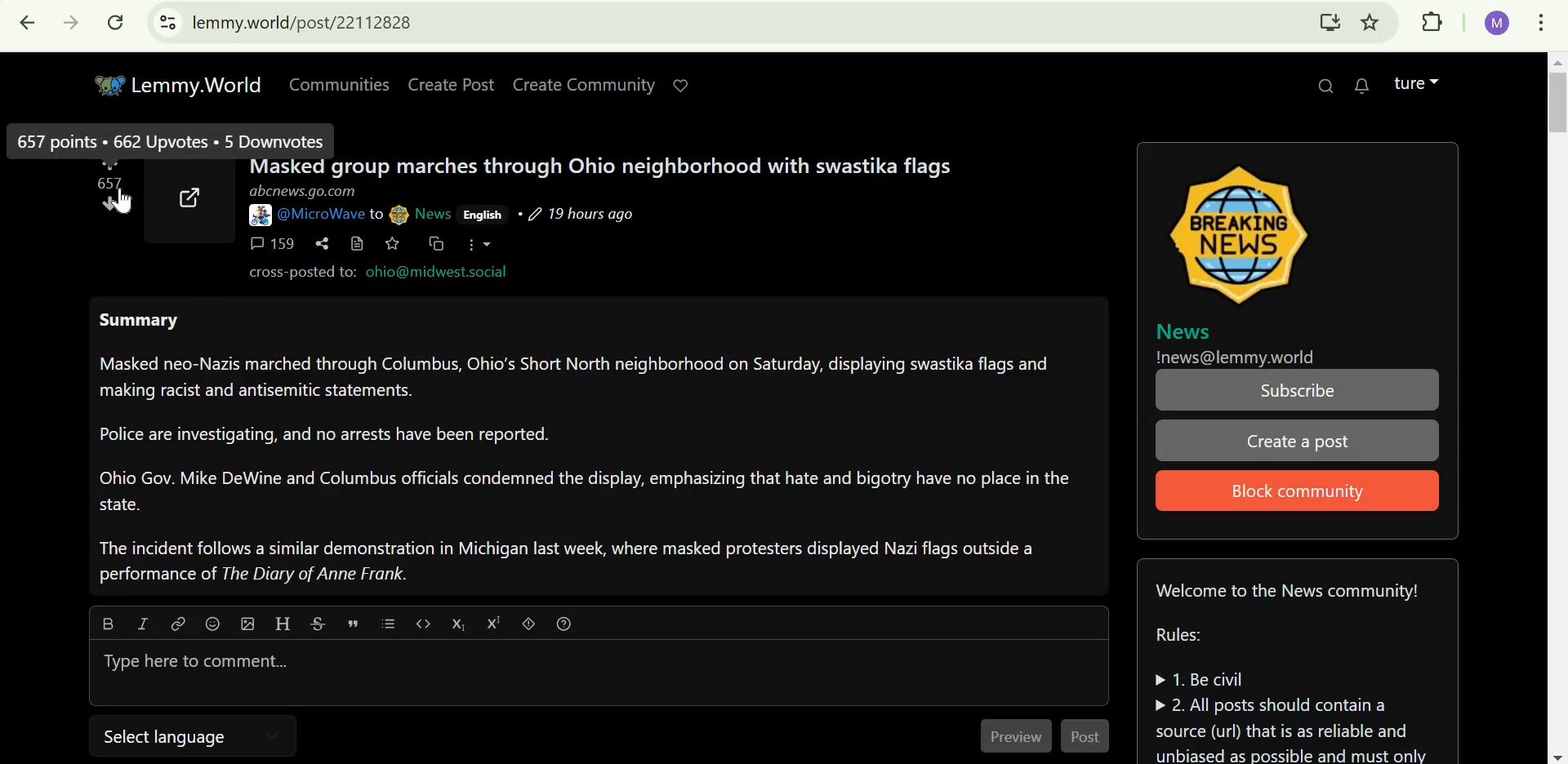  I want to click on Summary, so click(589, 453).